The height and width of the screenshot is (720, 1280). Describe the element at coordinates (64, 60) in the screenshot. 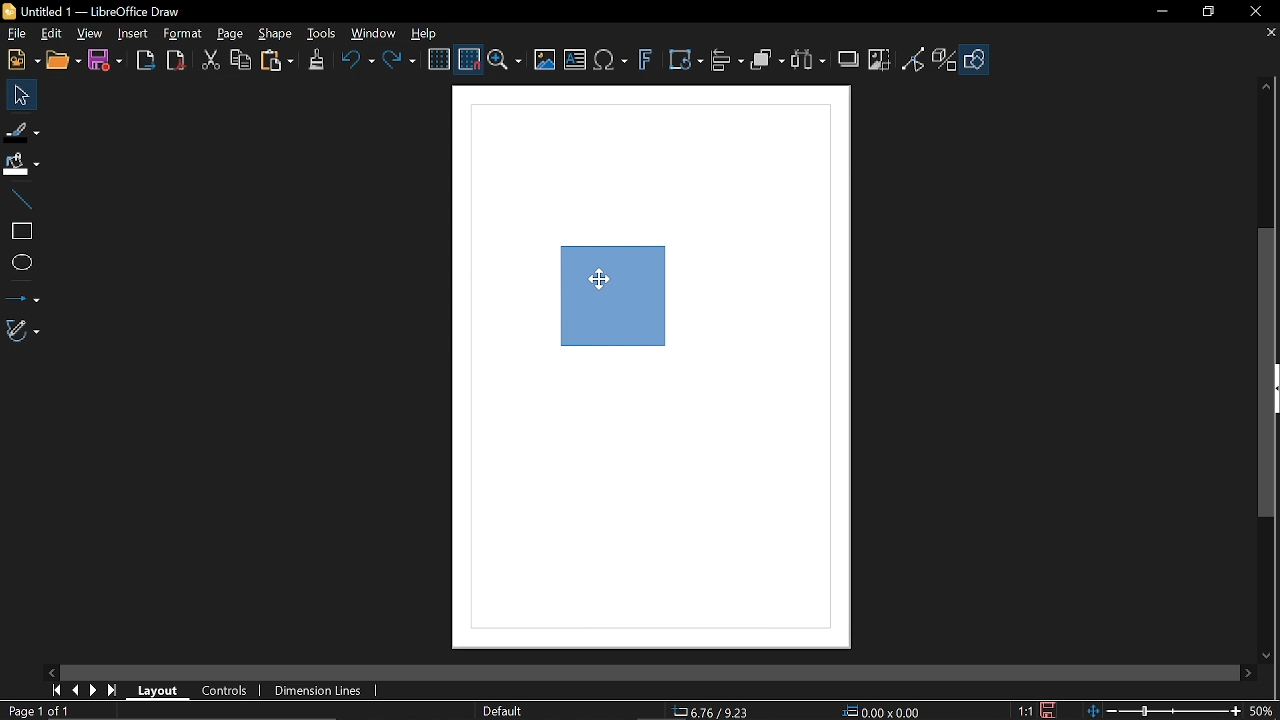

I see `Open` at that location.